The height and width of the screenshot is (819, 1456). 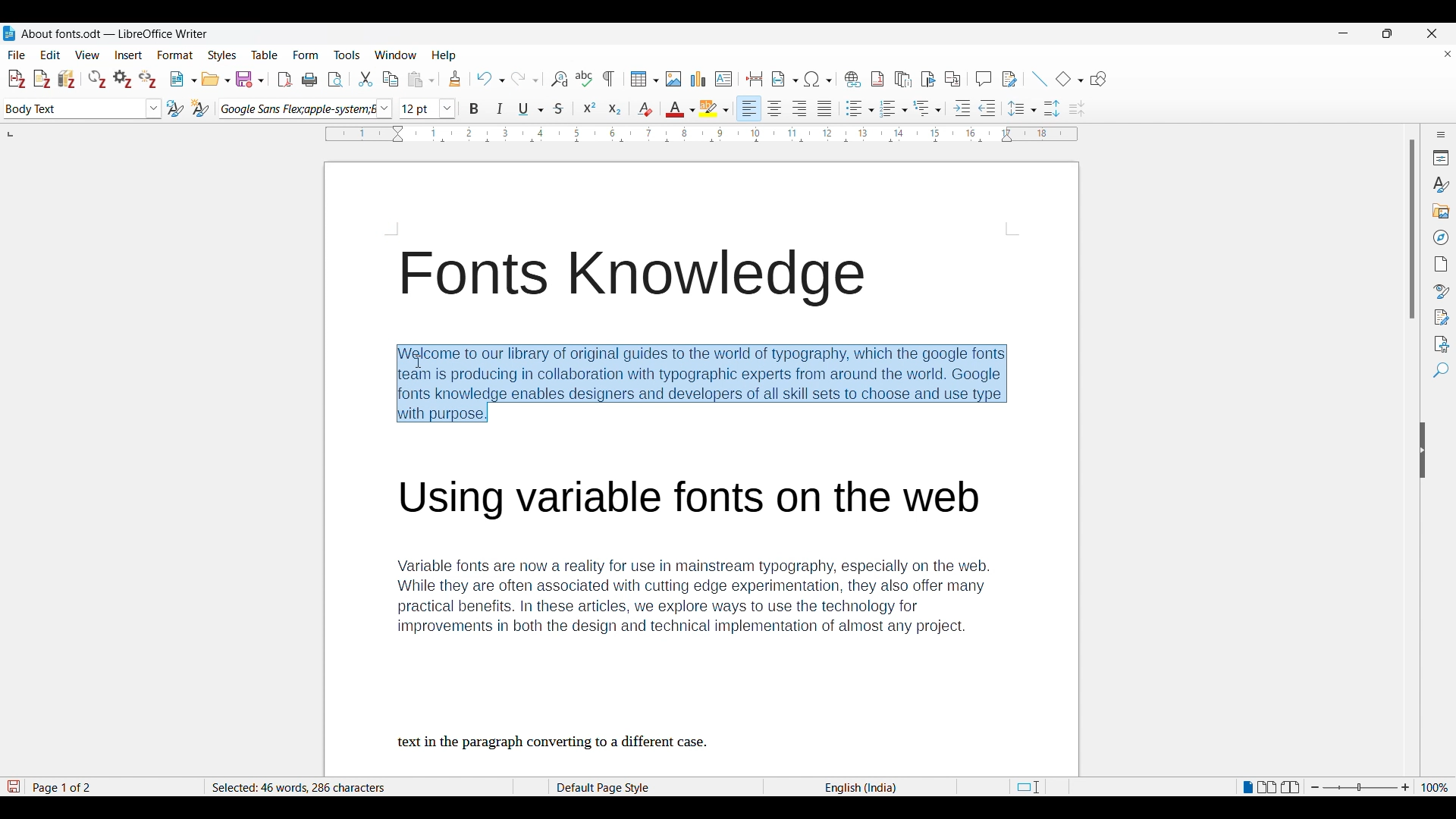 What do you see at coordinates (444, 55) in the screenshot?
I see `Help menu` at bounding box center [444, 55].